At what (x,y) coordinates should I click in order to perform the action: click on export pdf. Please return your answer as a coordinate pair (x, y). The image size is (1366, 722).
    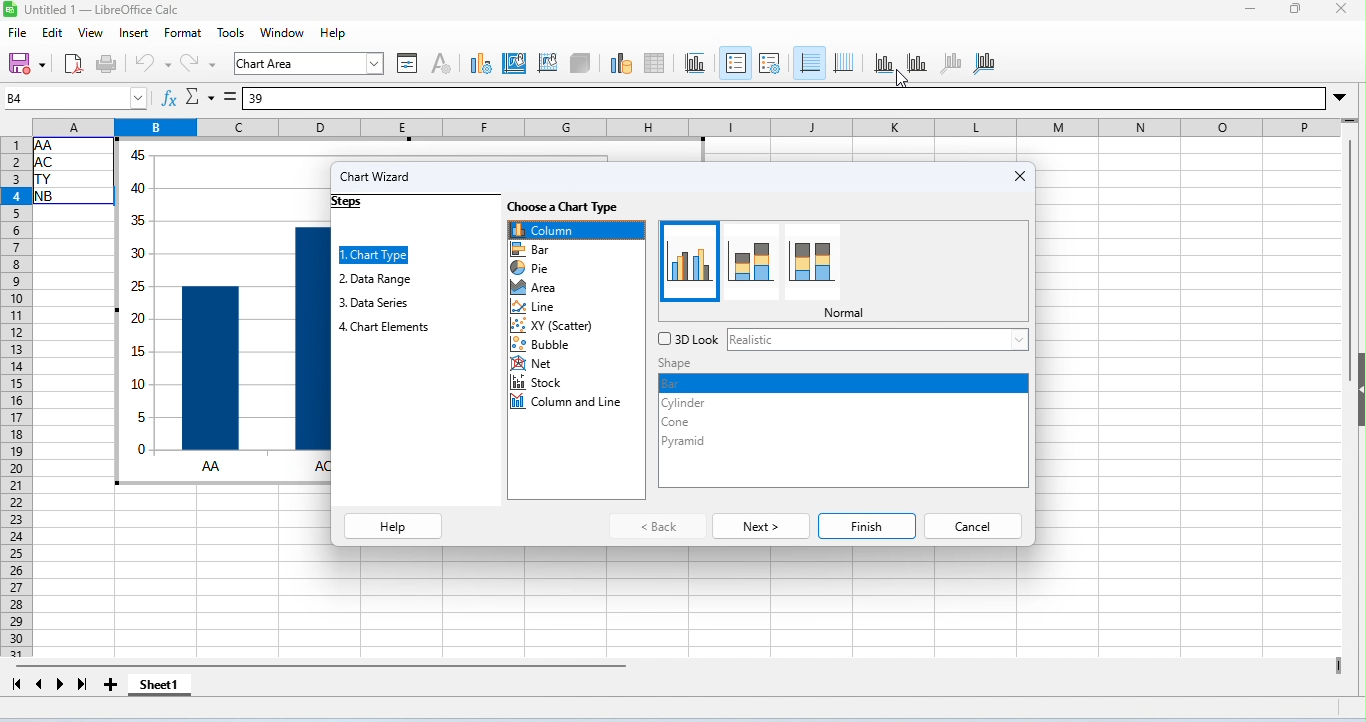
    Looking at the image, I should click on (71, 65).